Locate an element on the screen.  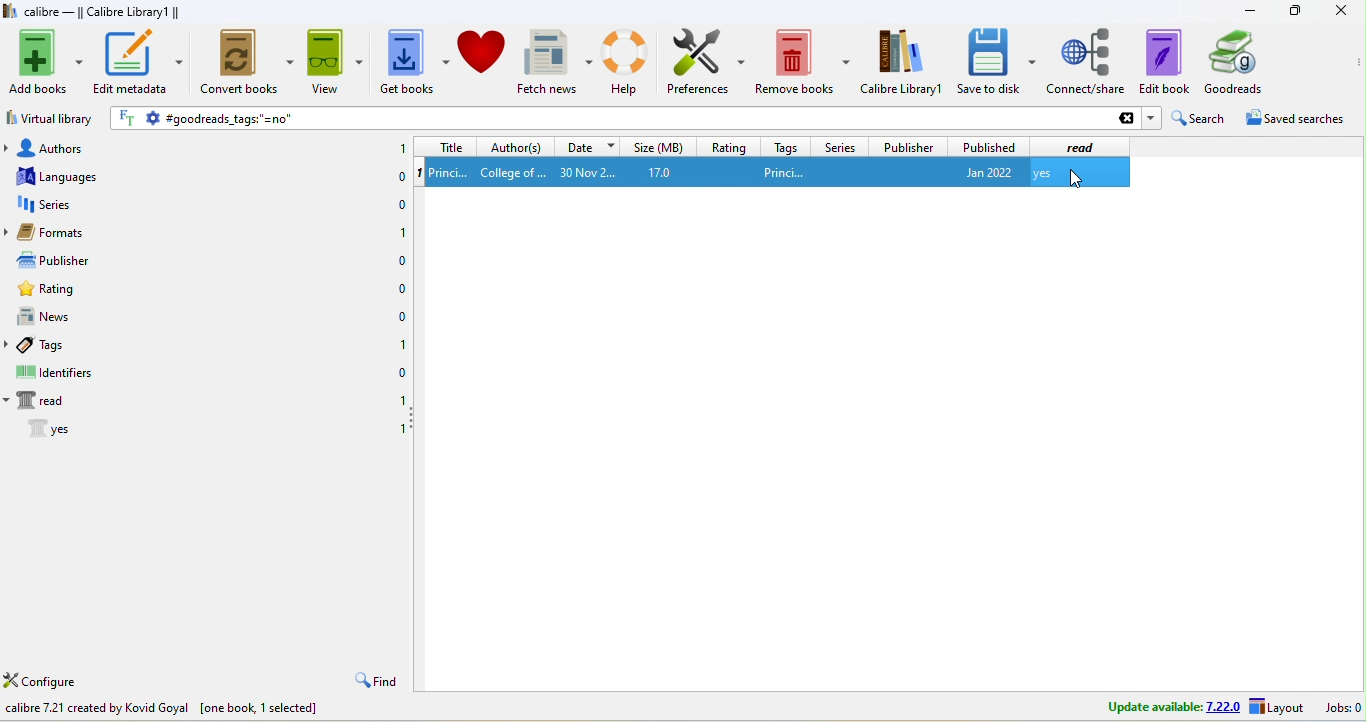
author(s) is located at coordinates (514, 147).